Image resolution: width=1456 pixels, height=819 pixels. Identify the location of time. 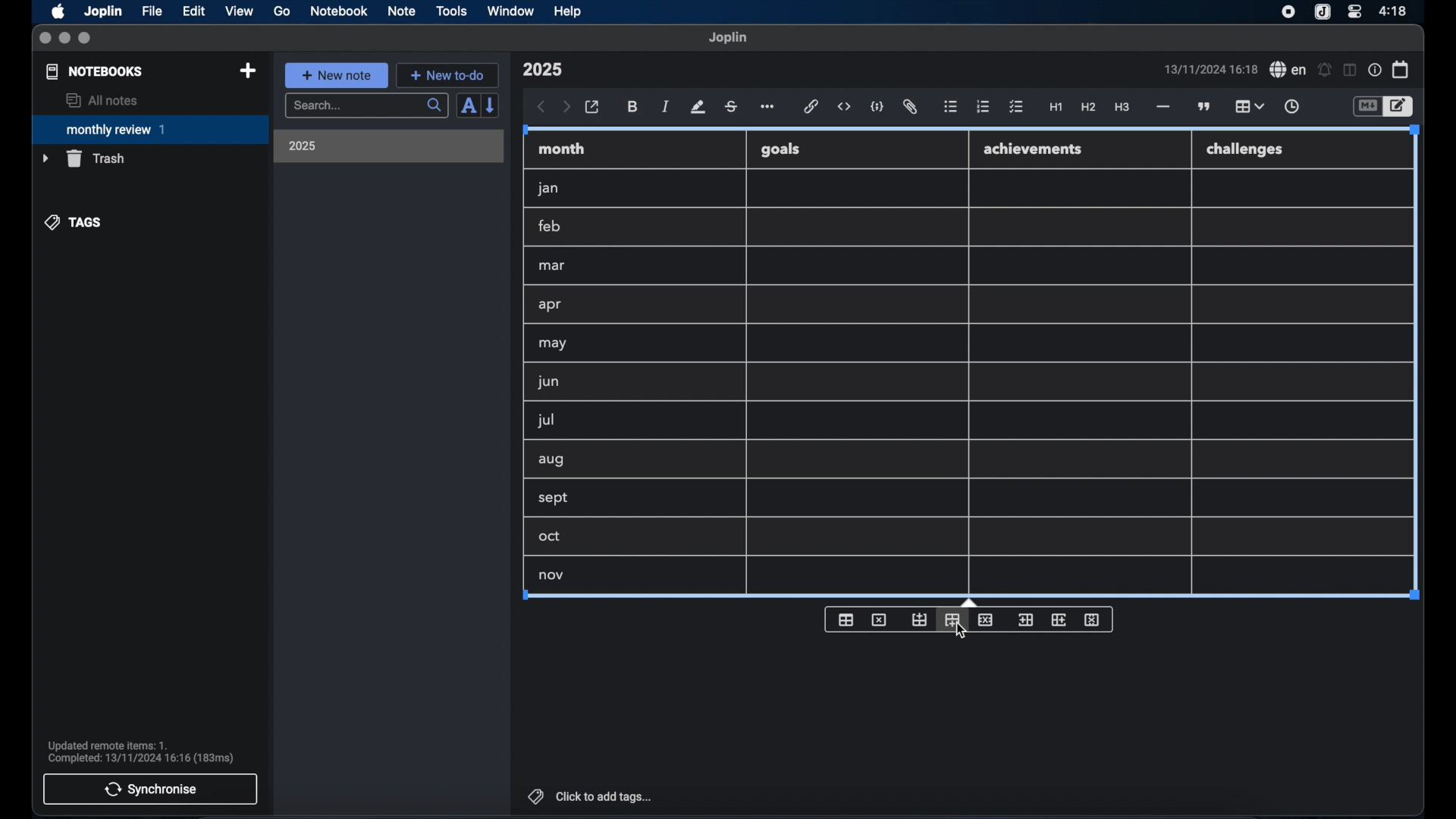
(1395, 11).